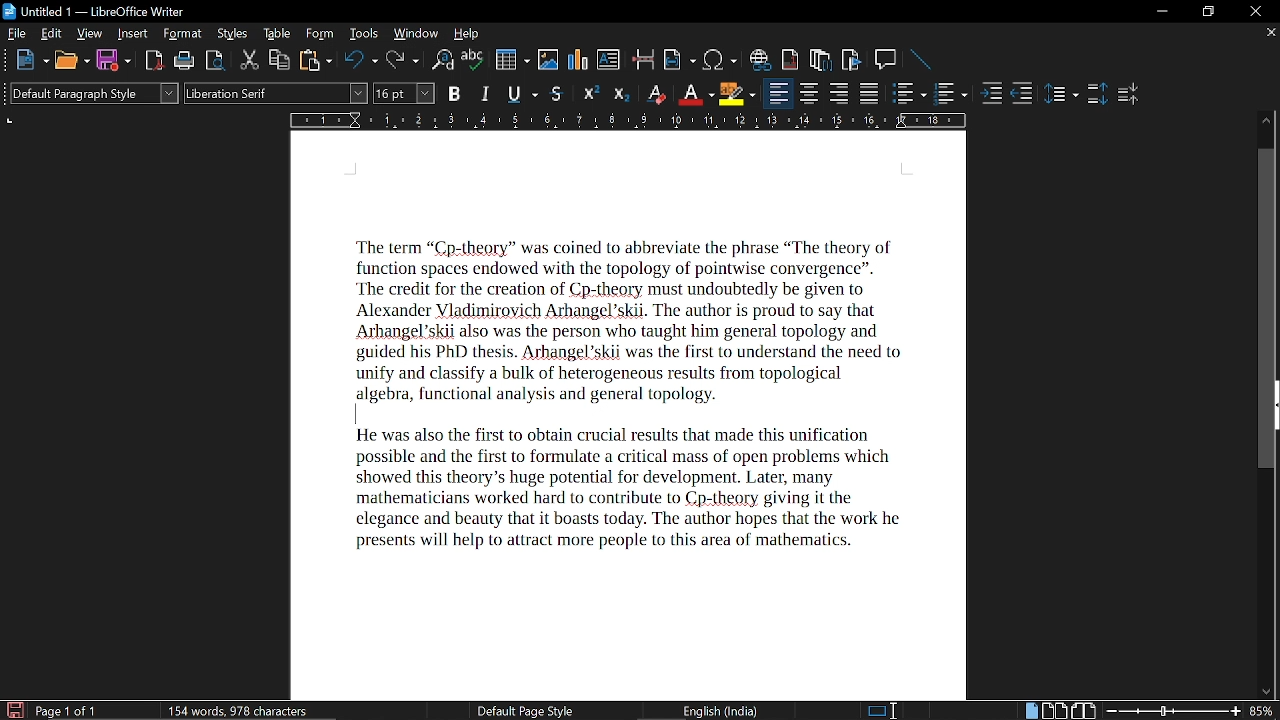  I want to click on Center, so click(810, 94).